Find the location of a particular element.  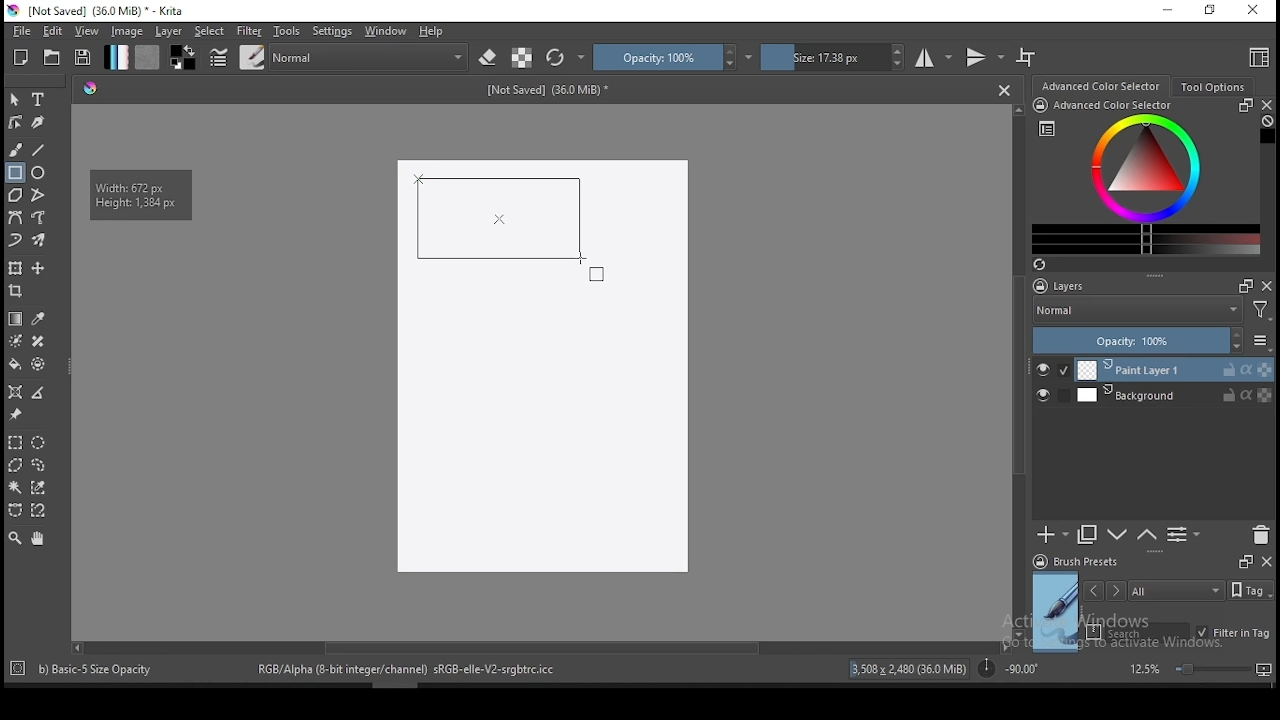

crop tool is located at coordinates (18, 293).